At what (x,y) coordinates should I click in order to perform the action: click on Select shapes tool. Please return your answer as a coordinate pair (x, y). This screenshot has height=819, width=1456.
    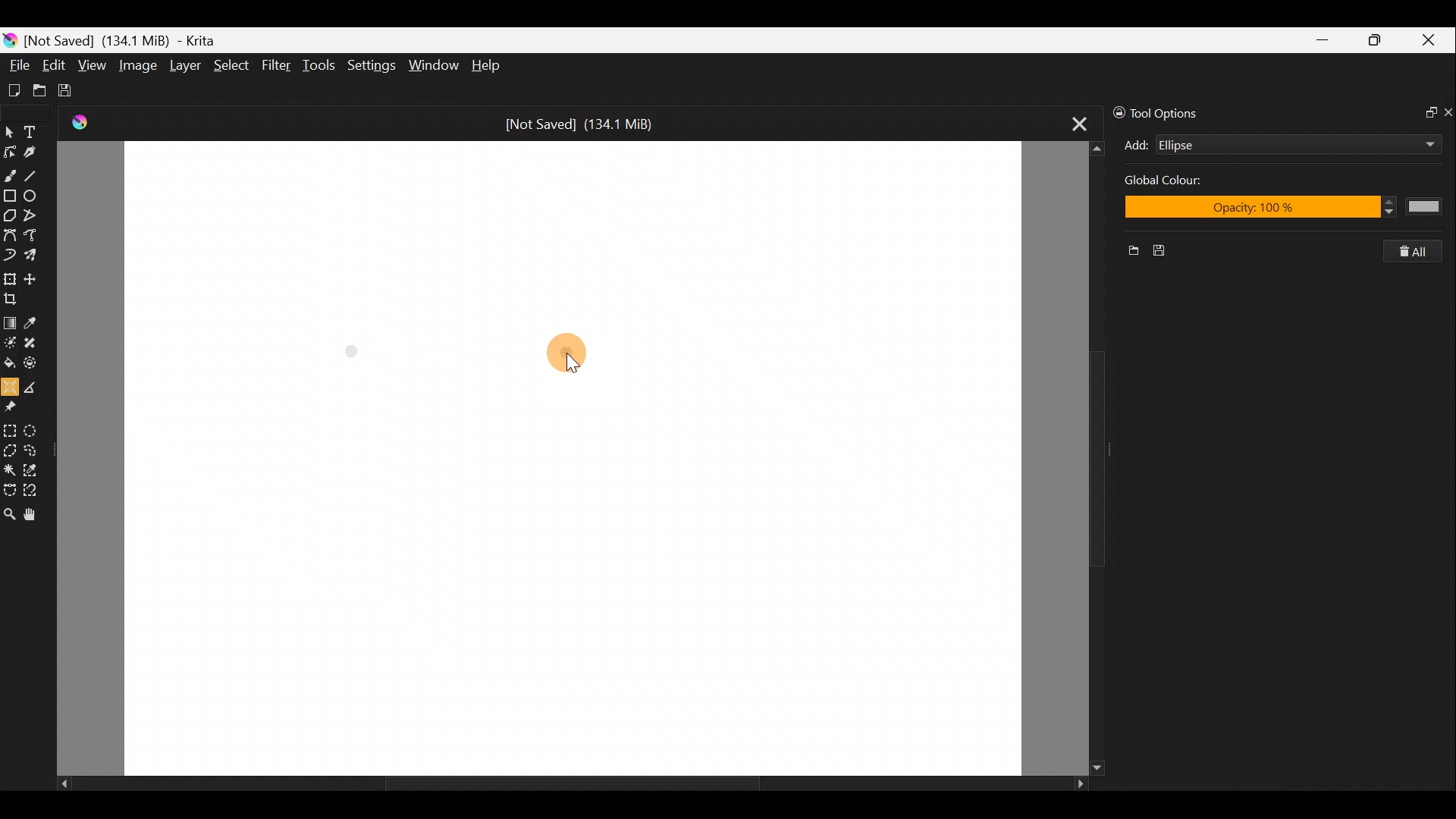
    Looking at the image, I should click on (10, 129).